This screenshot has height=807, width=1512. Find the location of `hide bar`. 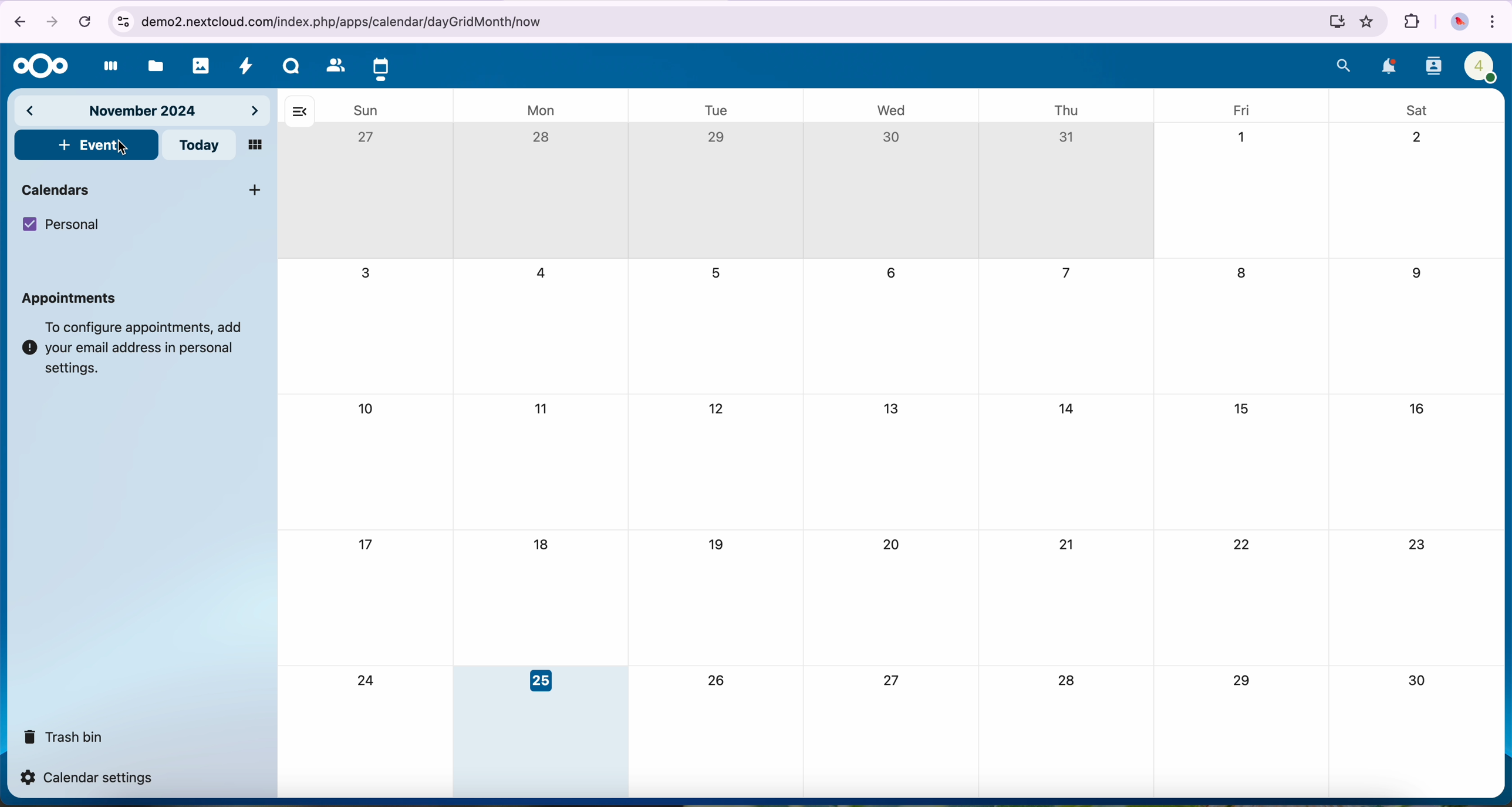

hide bar is located at coordinates (299, 112).